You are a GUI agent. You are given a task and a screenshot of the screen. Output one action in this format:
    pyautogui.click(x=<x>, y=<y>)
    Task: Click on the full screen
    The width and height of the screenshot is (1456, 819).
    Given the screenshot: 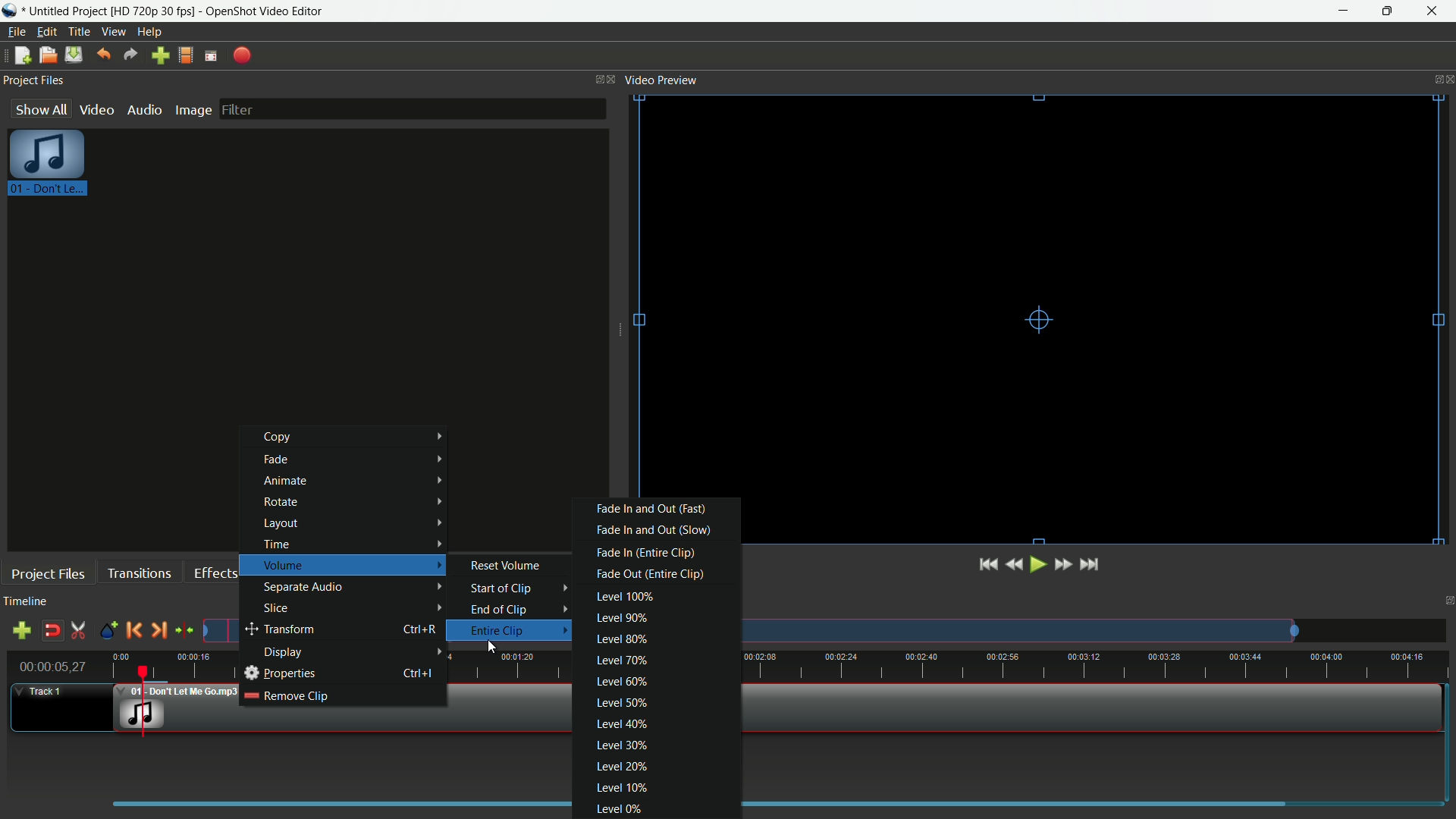 What is the action you would take?
    pyautogui.click(x=212, y=55)
    